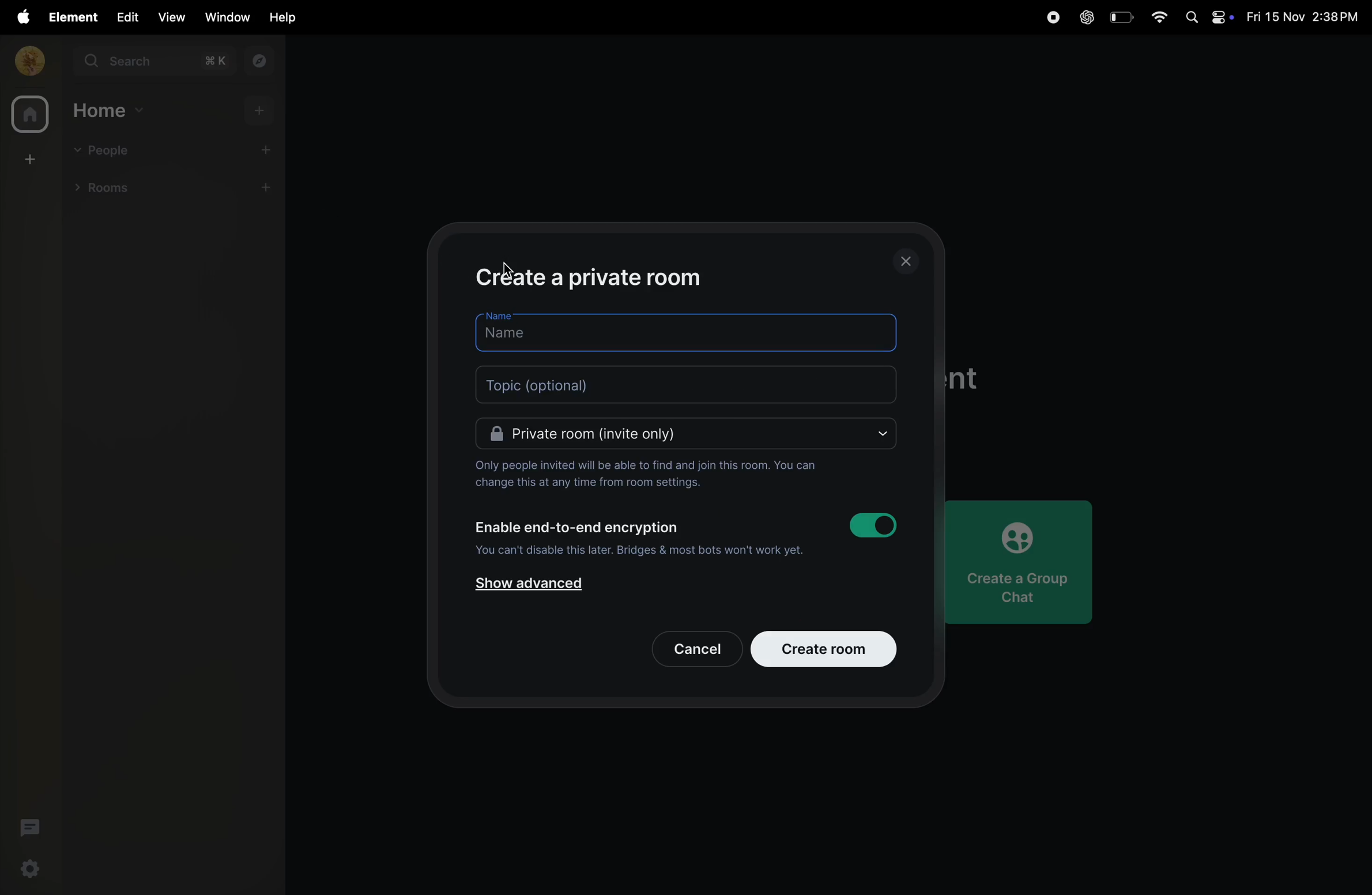 This screenshot has width=1372, height=895. I want to click on Enable end-to-end encryption
You can't disable this later. Bridges & most bots won't work yet., so click(642, 537).